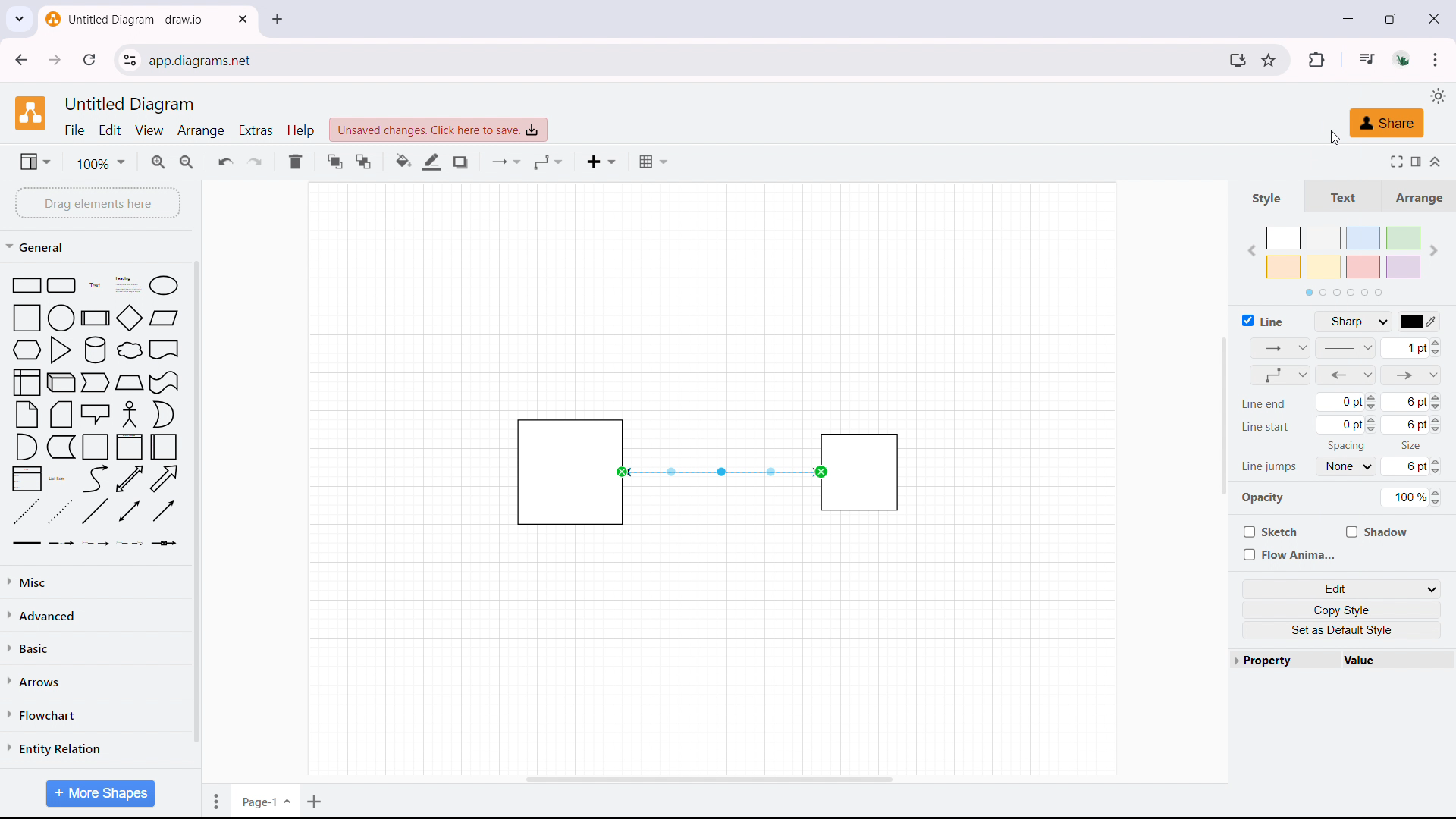 The height and width of the screenshot is (819, 1456). What do you see at coordinates (710, 780) in the screenshot?
I see `horizontal scrollbar` at bounding box center [710, 780].